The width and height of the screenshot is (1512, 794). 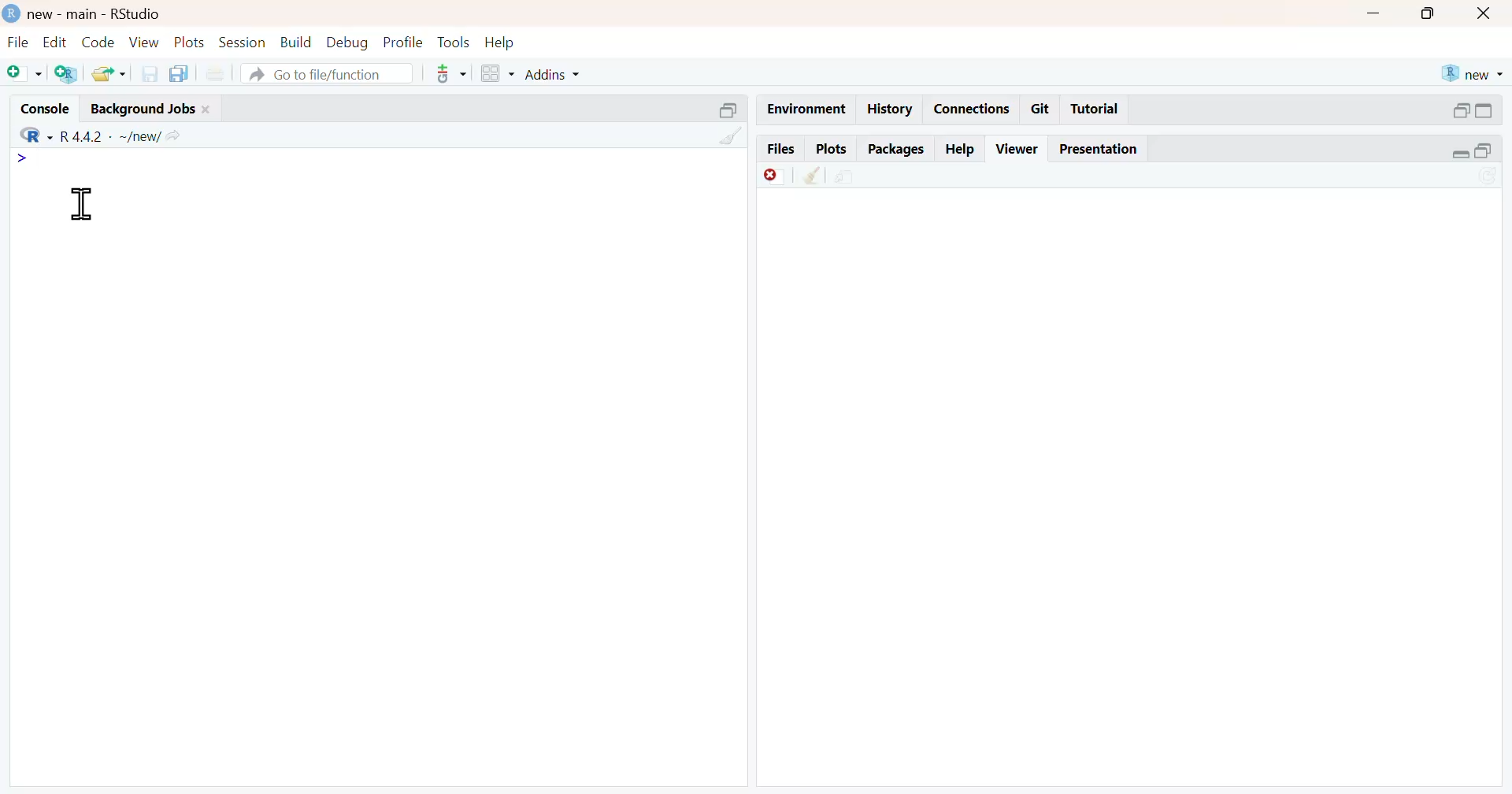 I want to click on plots, so click(x=190, y=43).